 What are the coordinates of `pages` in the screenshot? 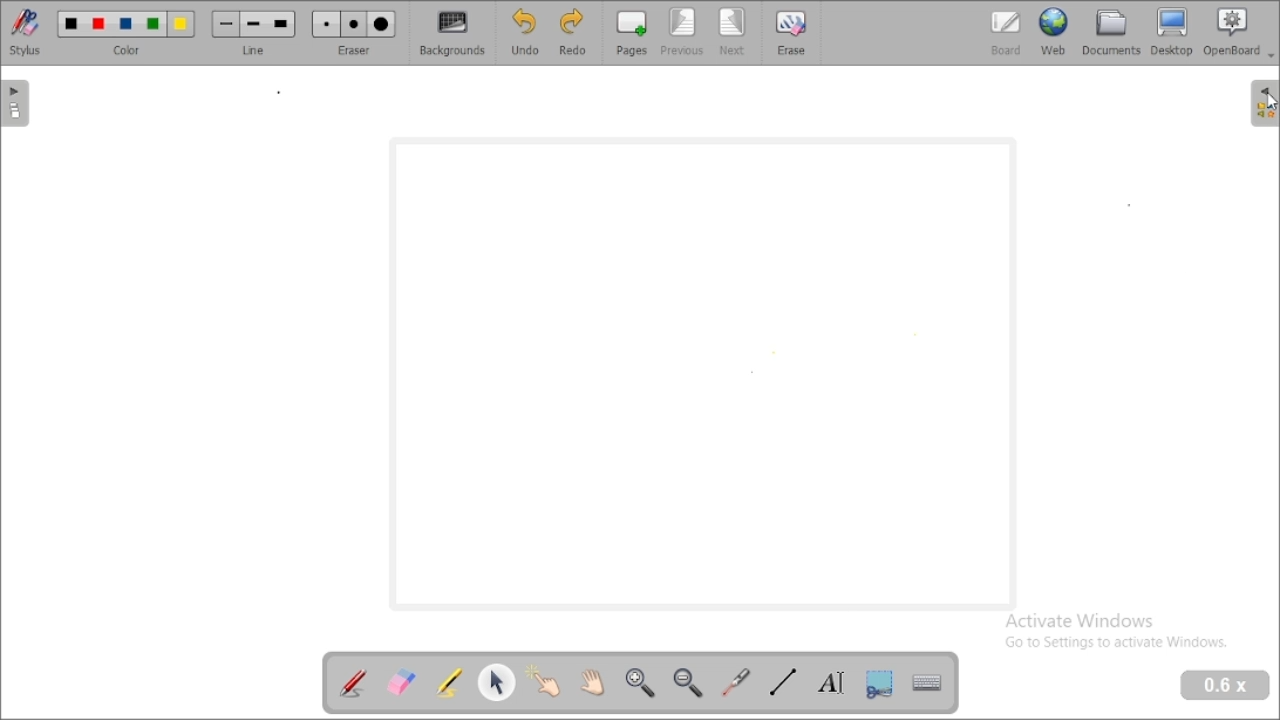 It's located at (631, 33).